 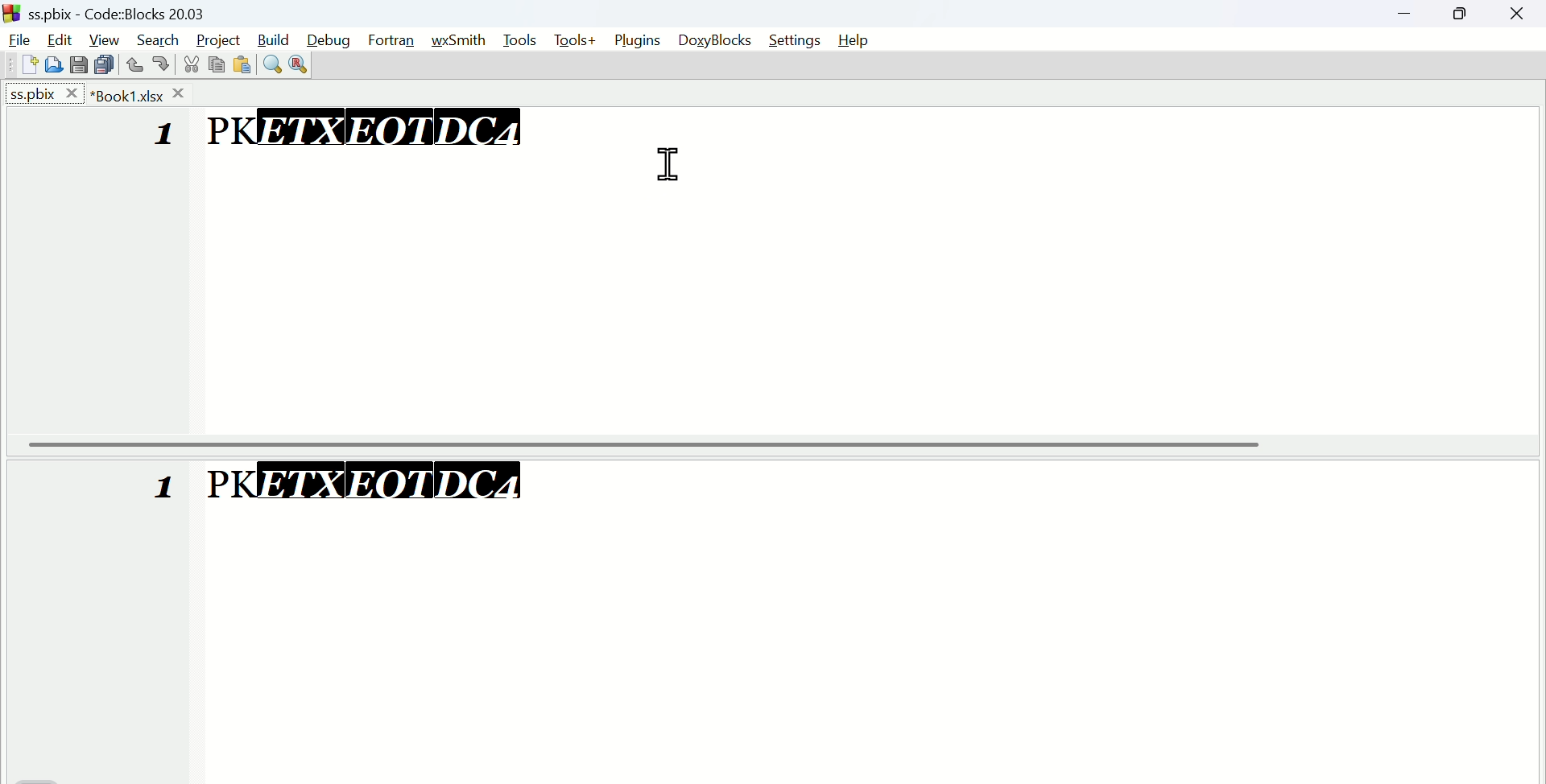 What do you see at coordinates (53, 64) in the screenshot?
I see `Open` at bounding box center [53, 64].